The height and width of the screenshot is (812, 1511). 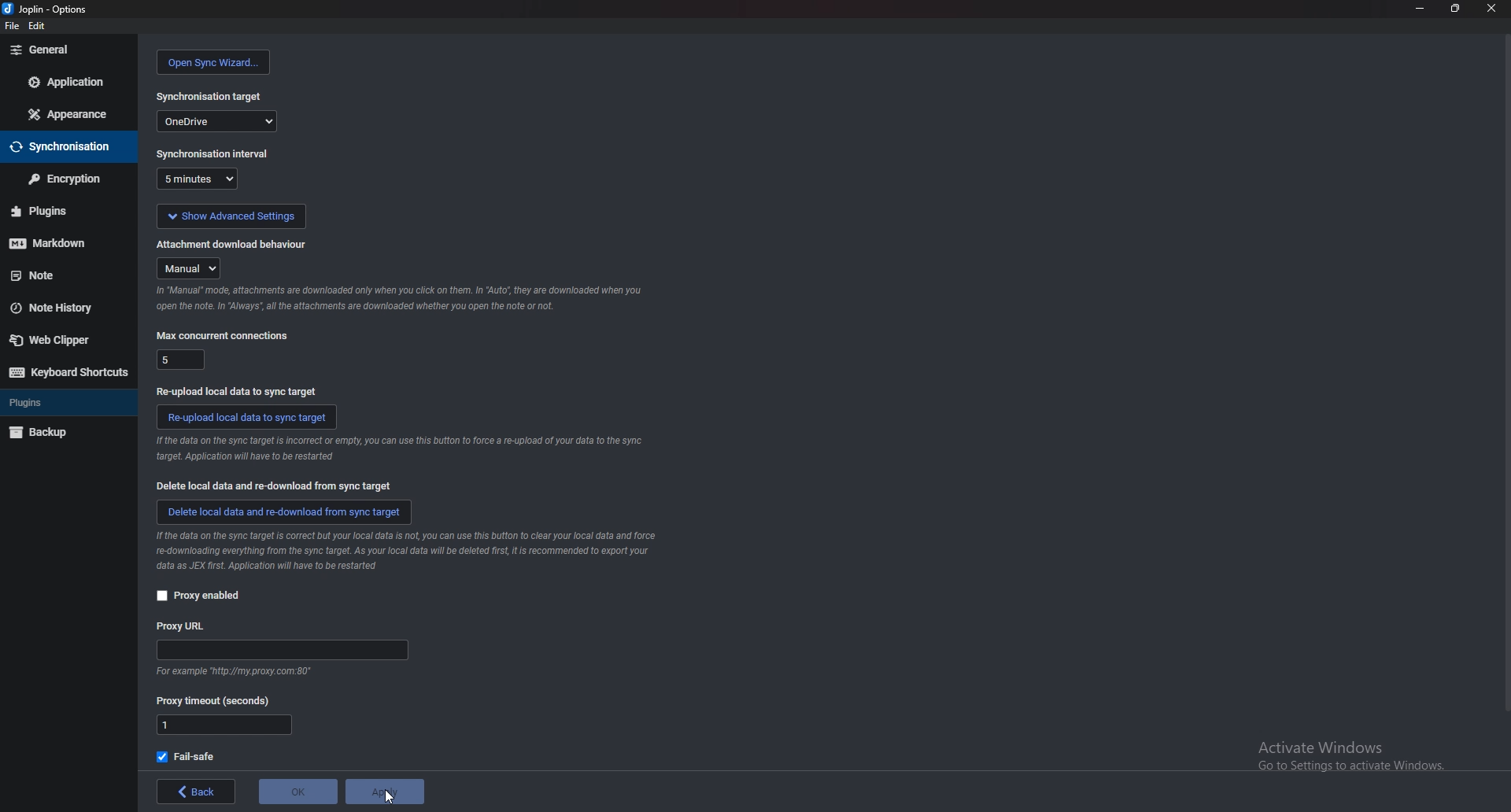 What do you see at coordinates (224, 725) in the screenshot?
I see `1` at bounding box center [224, 725].